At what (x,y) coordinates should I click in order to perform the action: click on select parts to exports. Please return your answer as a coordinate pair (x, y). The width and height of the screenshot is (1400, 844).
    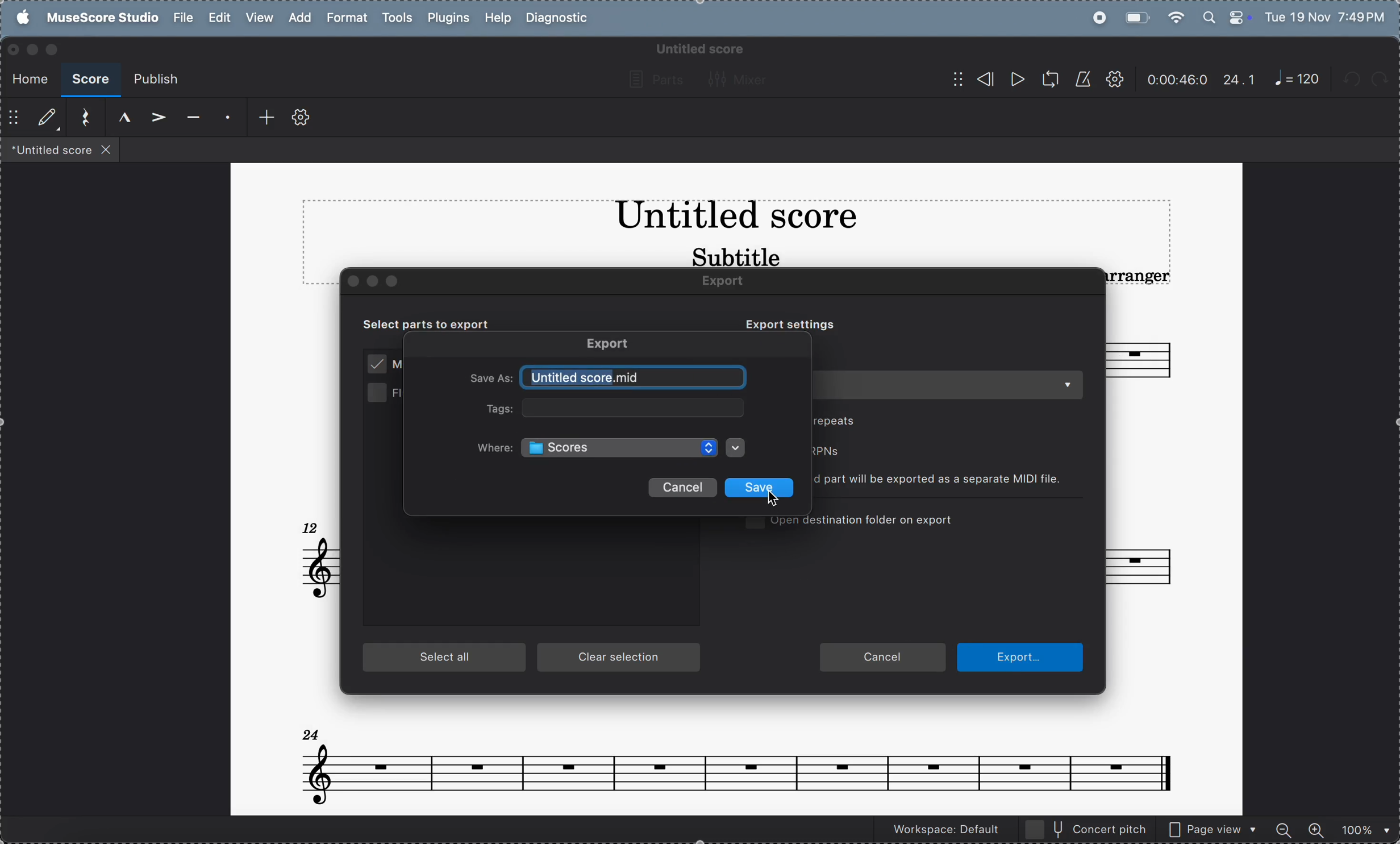
    Looking at the image, I should click on (440, 323).